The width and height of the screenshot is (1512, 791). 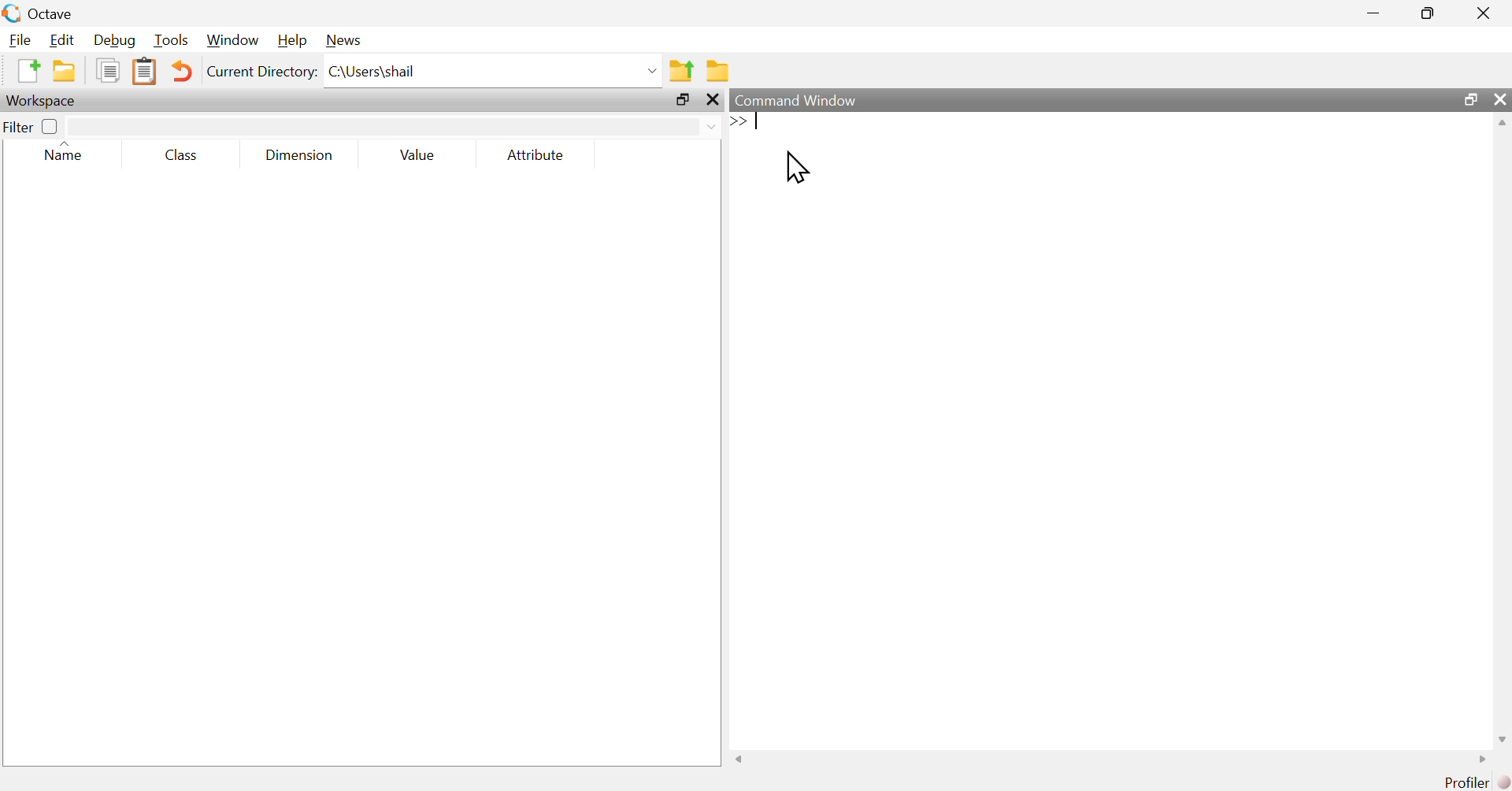 What do you see at coordinates (740, 758) in the screenshot?
I see `Scrollbar left` at bounding box center [740, 758].